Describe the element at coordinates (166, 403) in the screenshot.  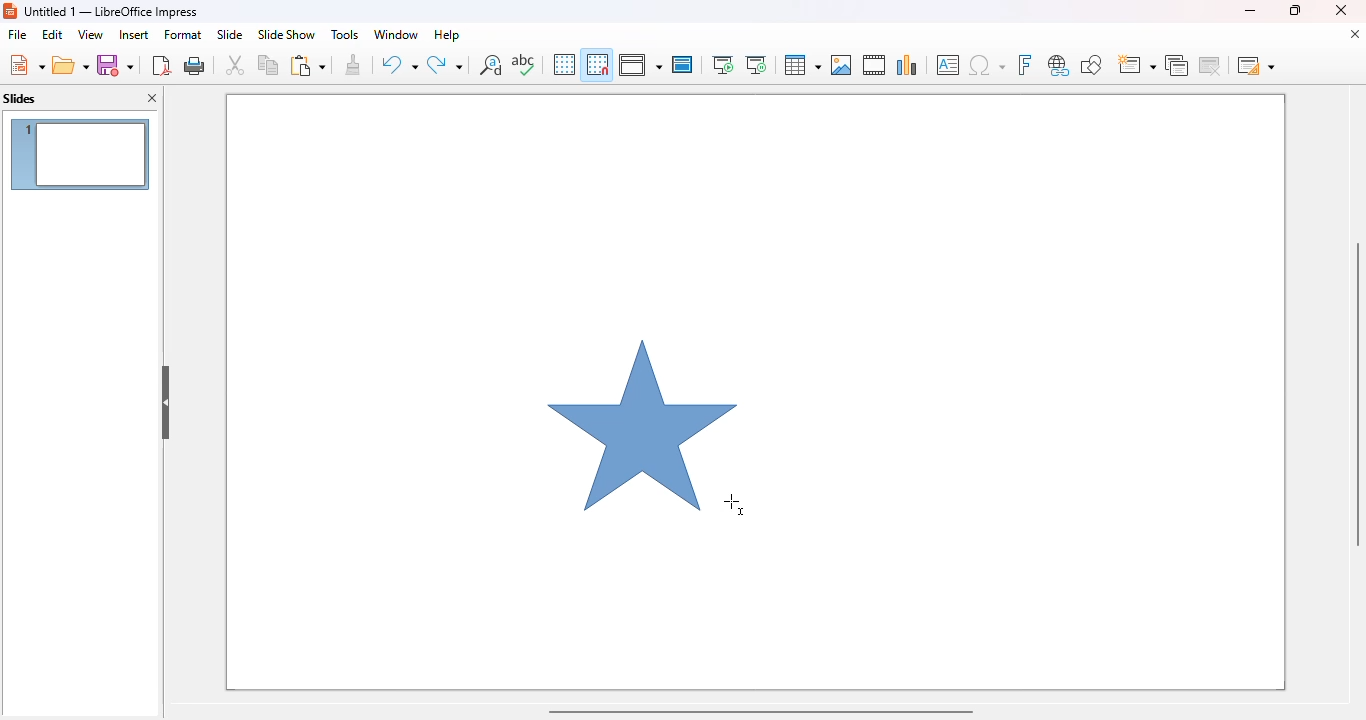
I see `hide` at that location.